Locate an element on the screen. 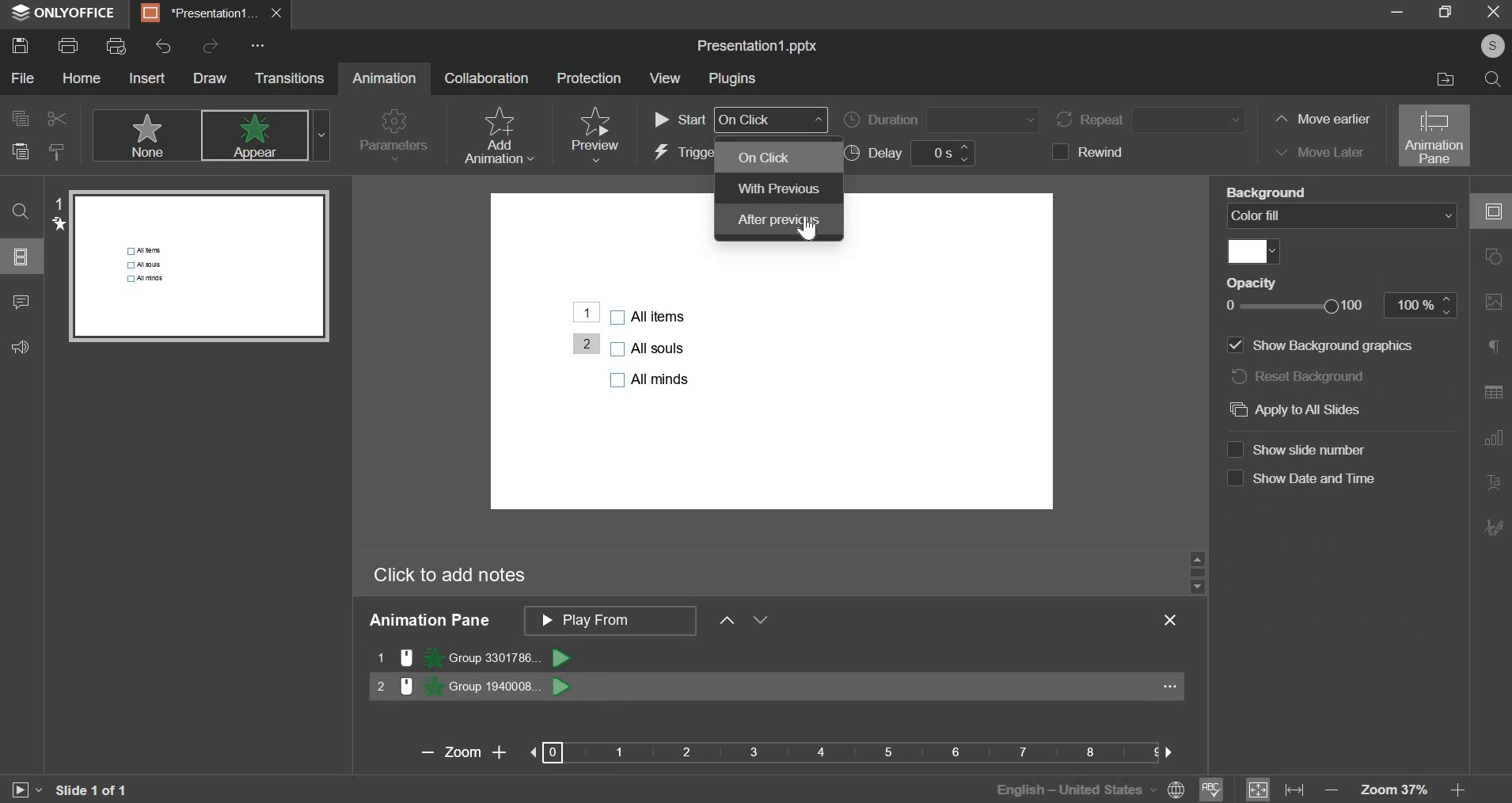 The height and width of the screenshot is (803, 1512). maximize is located at coordinates (1445, 13).